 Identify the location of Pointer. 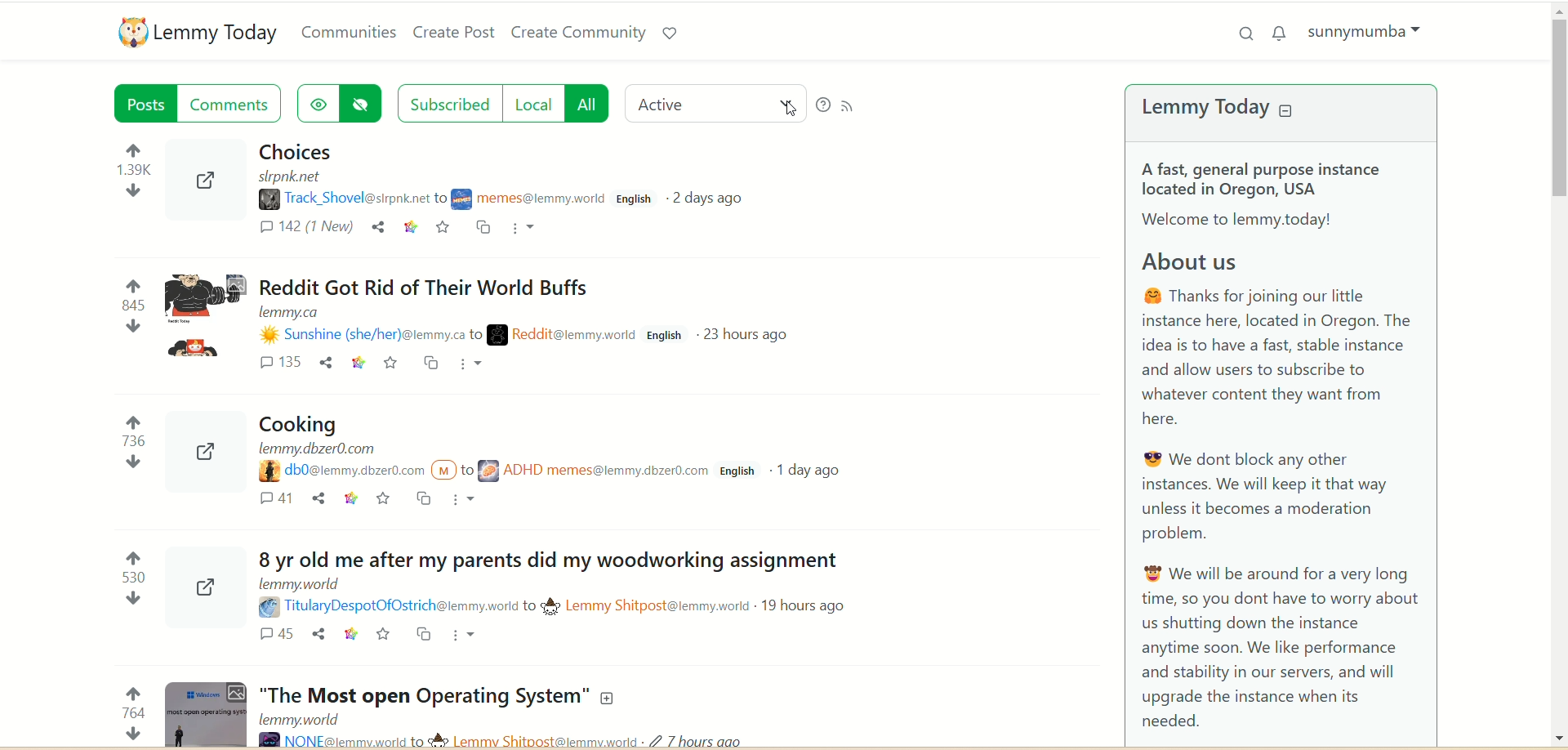
(792, 112).